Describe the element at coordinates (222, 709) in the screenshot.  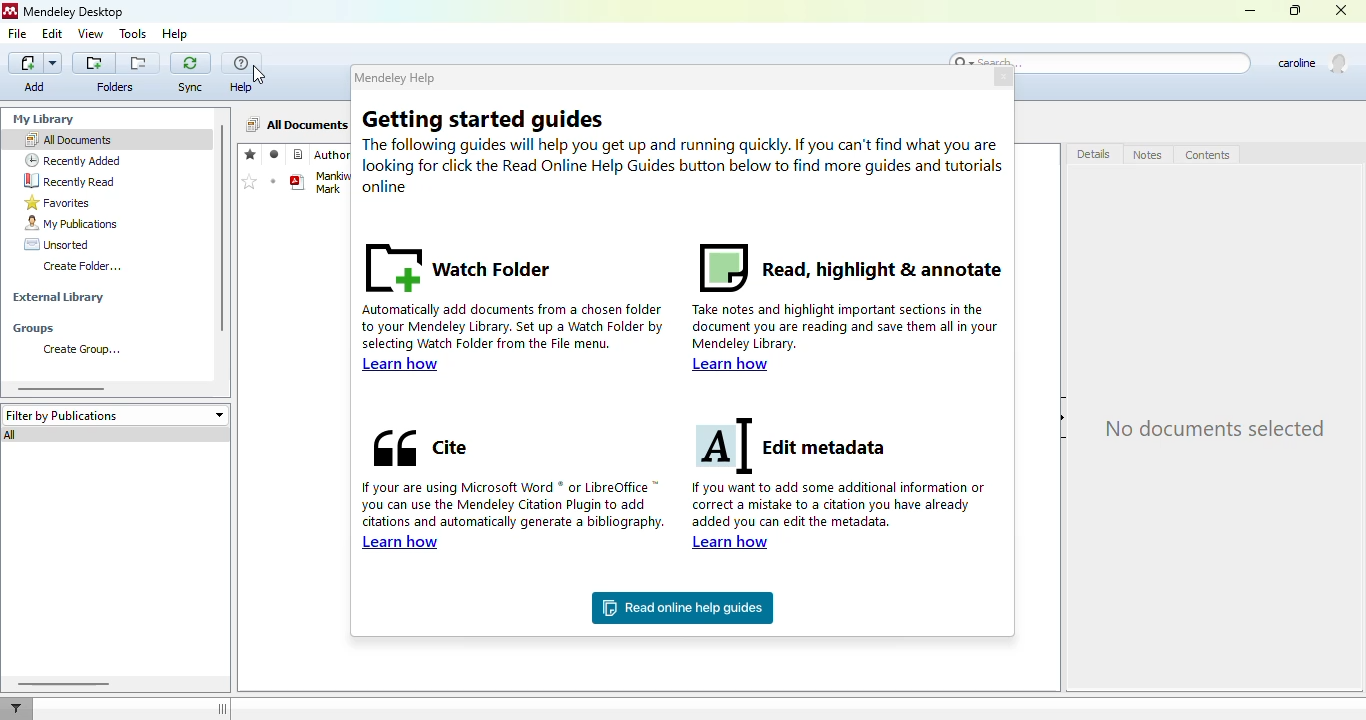
I see `toggle sidebar` at that location.